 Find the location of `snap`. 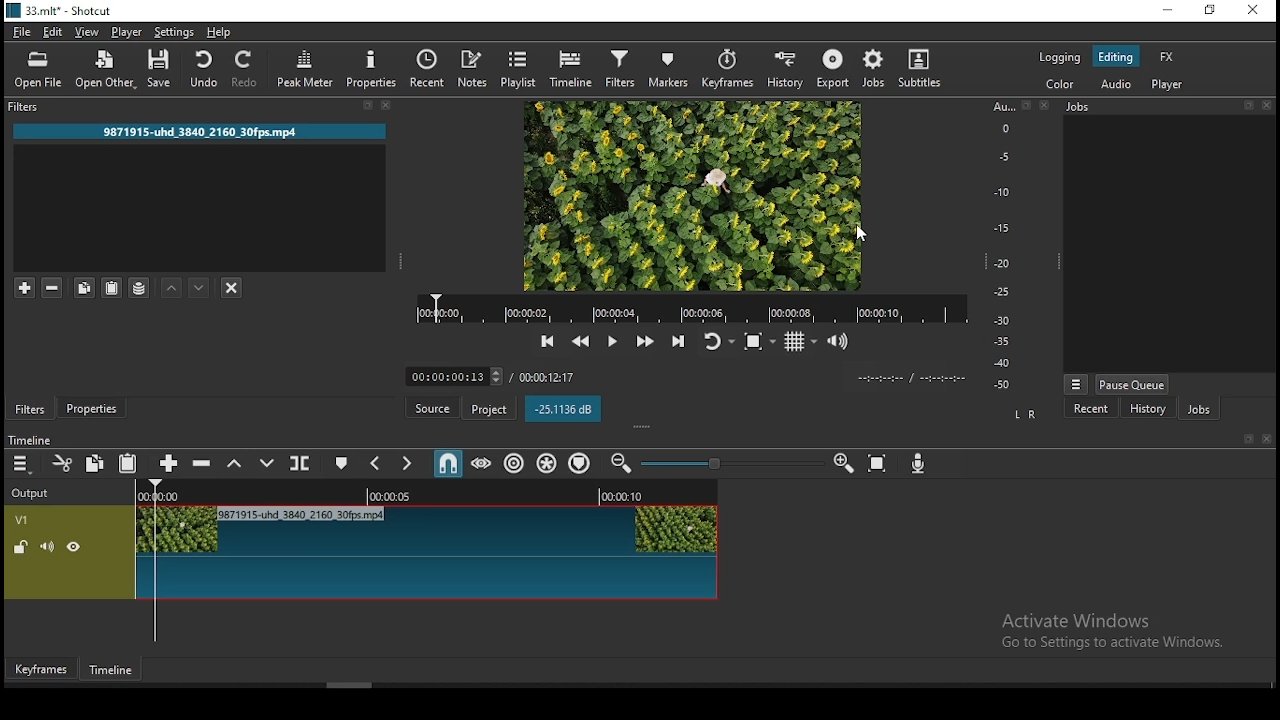

snap is located at coordinates (448, 466).